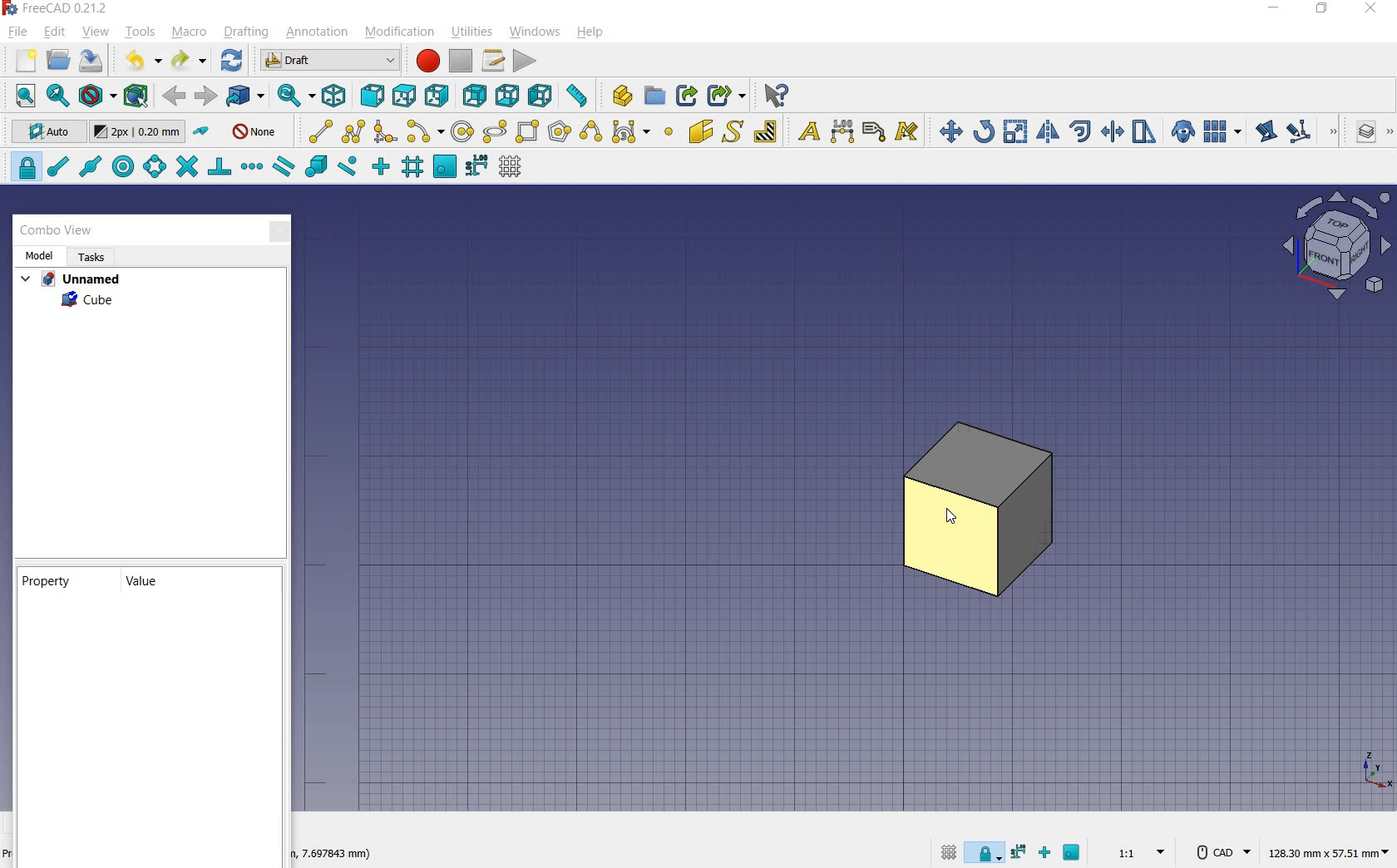 Image resolution: width=1397 pixels, height=868 pixels. Describe the element at coordinates (384, 131) in the screenshot. I see `fillet` at that location.